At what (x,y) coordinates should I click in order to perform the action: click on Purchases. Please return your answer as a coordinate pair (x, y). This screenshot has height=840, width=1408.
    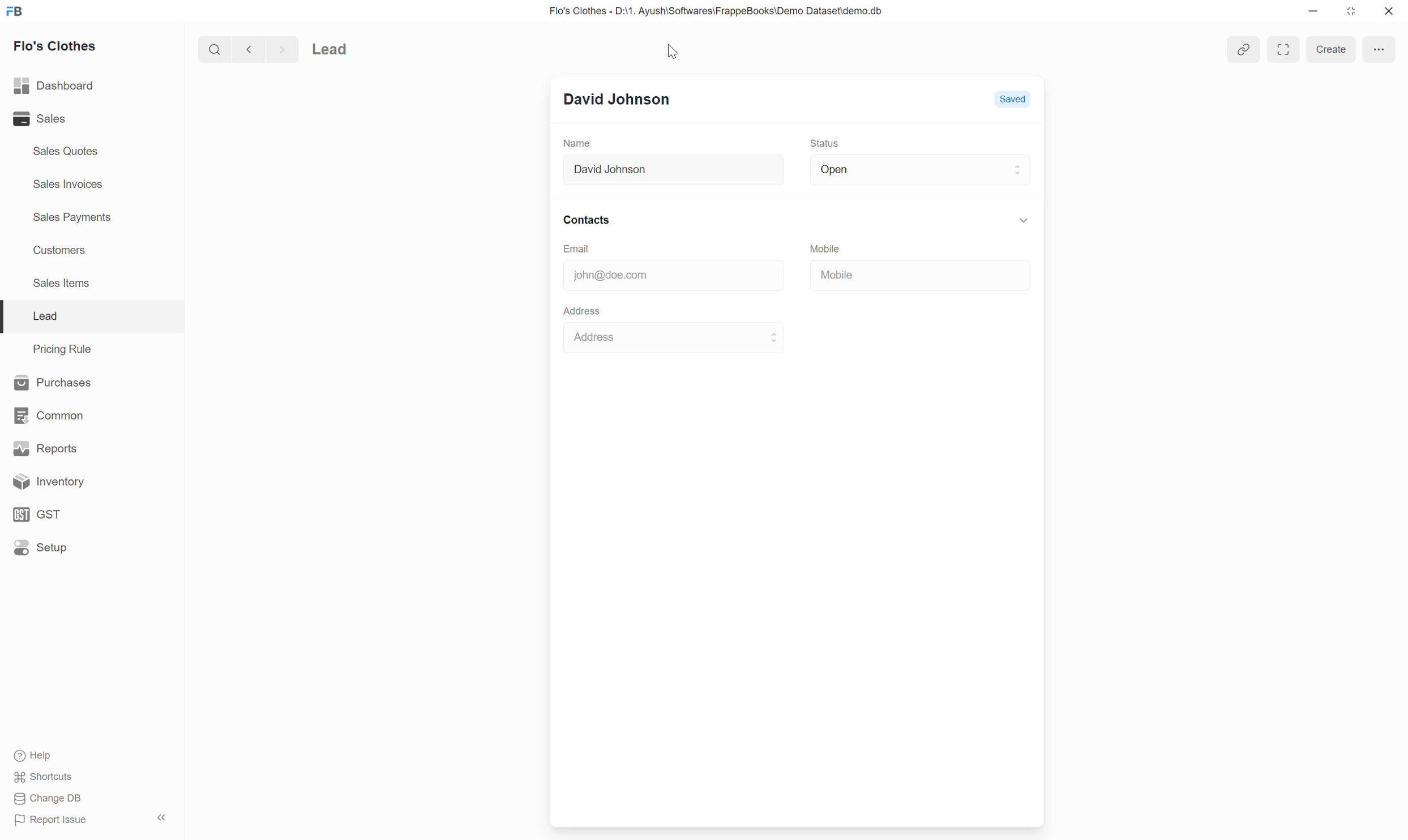
    Looking at the image, I should click on (53, 382).